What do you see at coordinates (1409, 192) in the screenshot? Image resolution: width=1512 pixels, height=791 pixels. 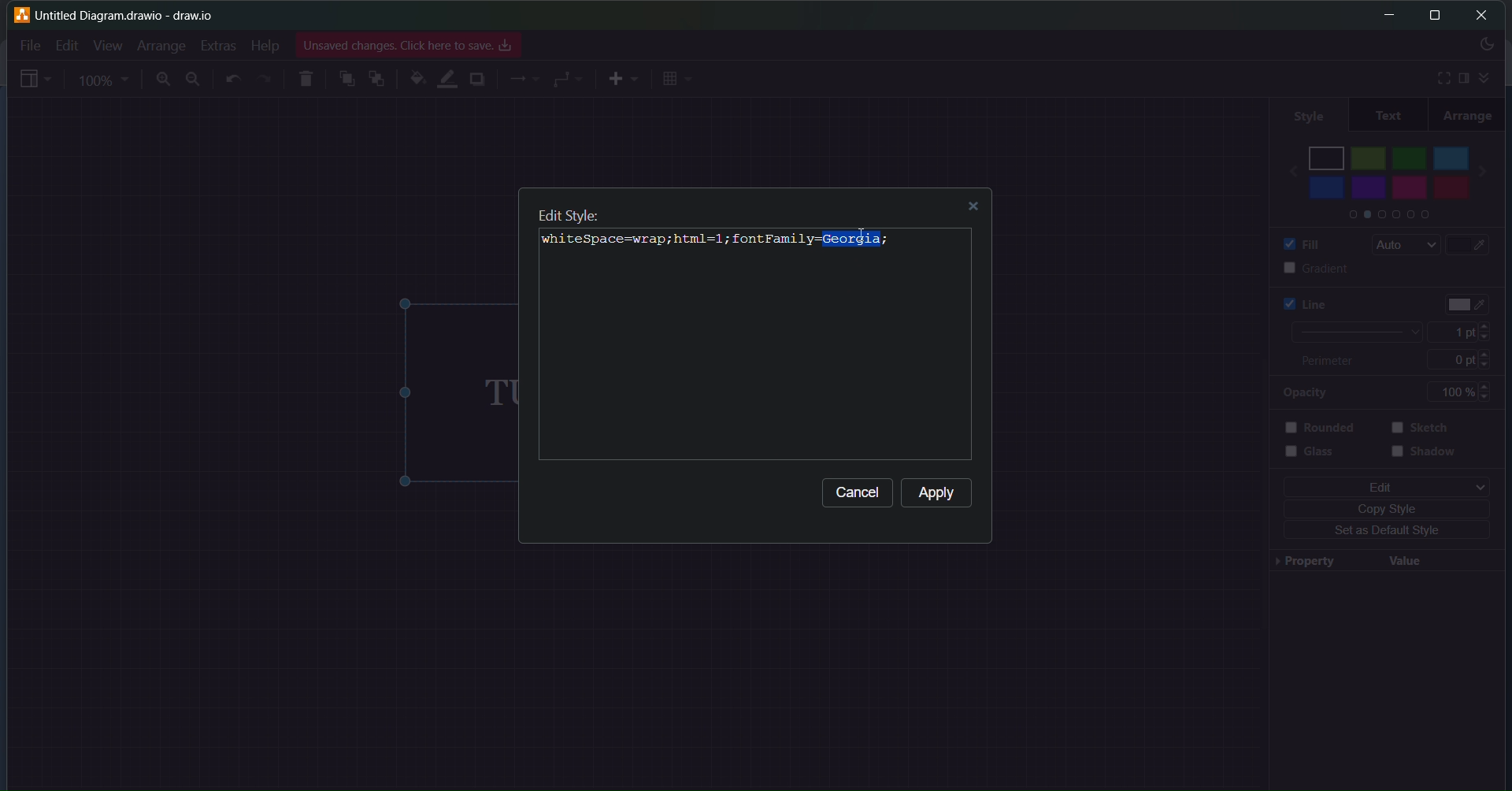 I see `pink` at bounding box center [1409, 192].